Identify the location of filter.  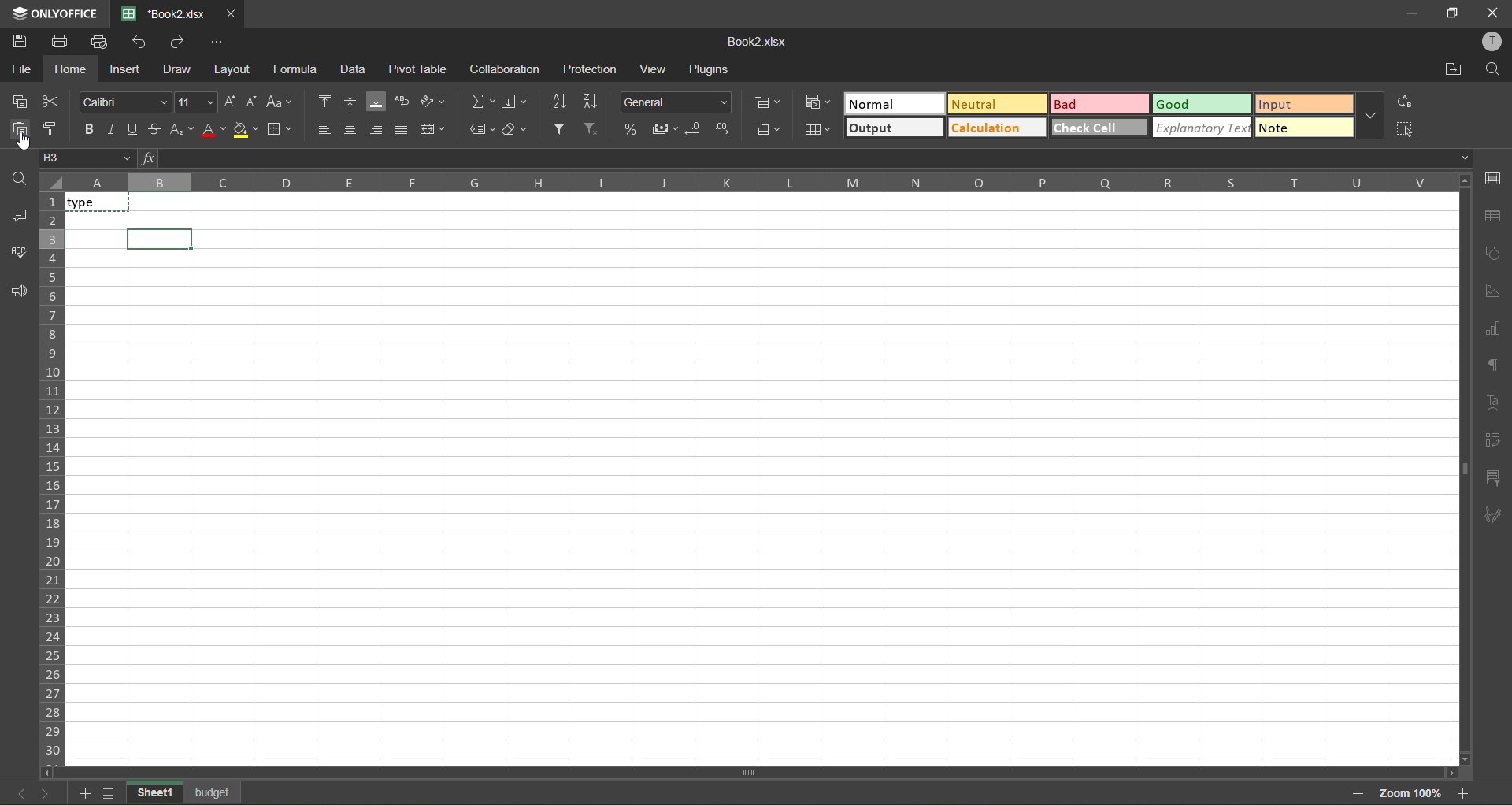
(559, 131).